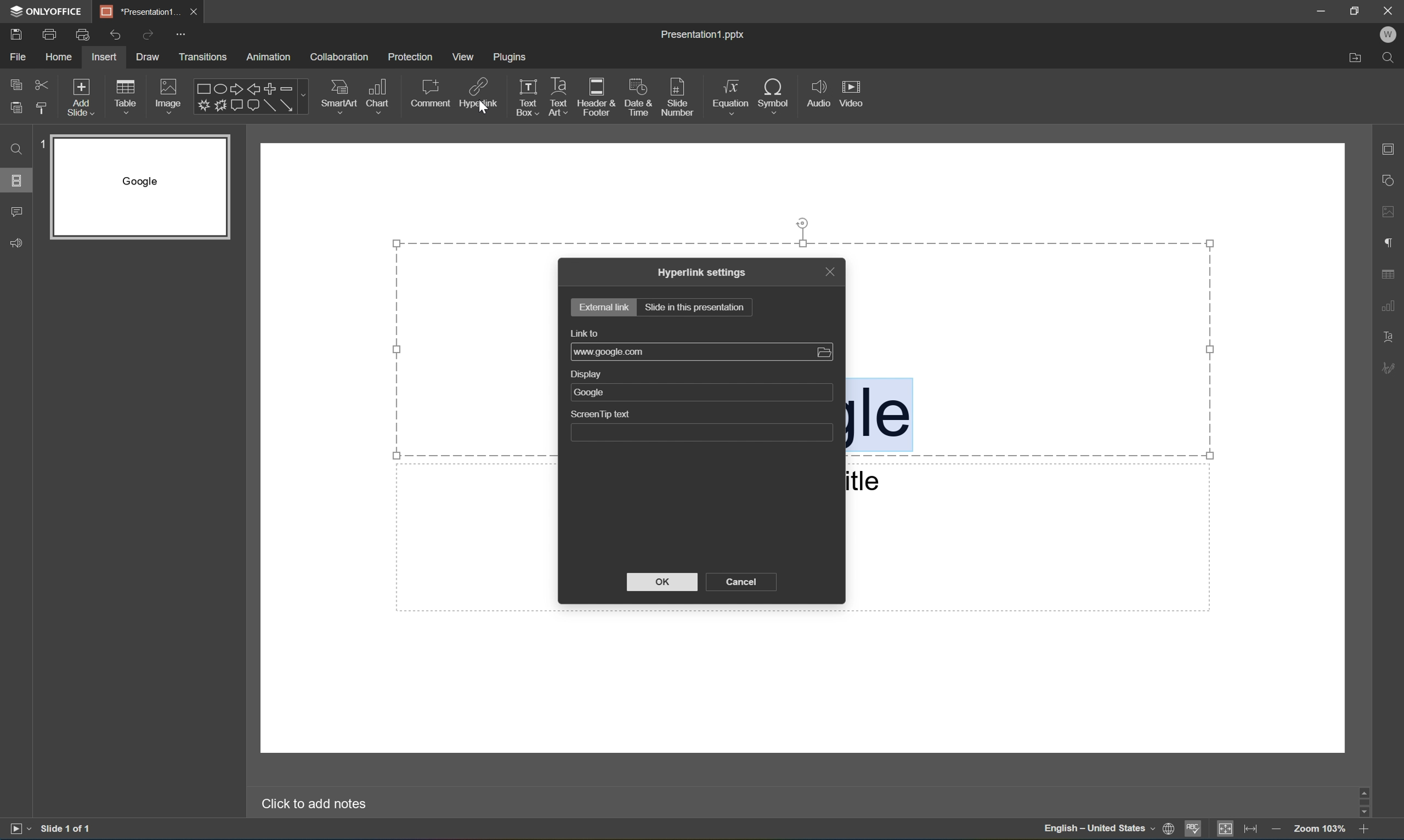 This screenshot has width=1404, height=840. Describe the element at coordinates (44, 109) in the screenshot. I see `Copy style` at that location.